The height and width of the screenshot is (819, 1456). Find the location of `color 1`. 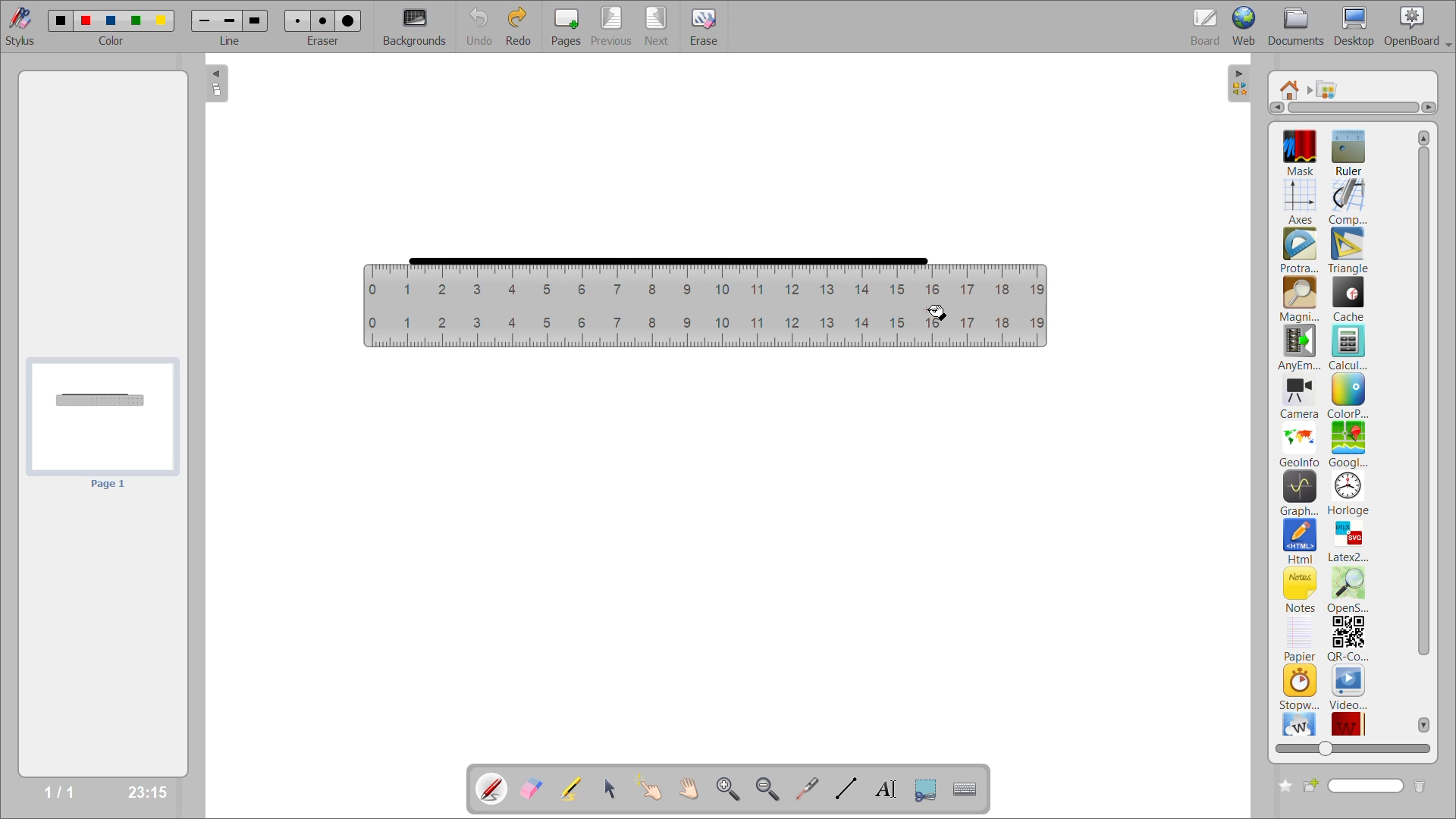

color 1 is located at coordinates (57, 20).